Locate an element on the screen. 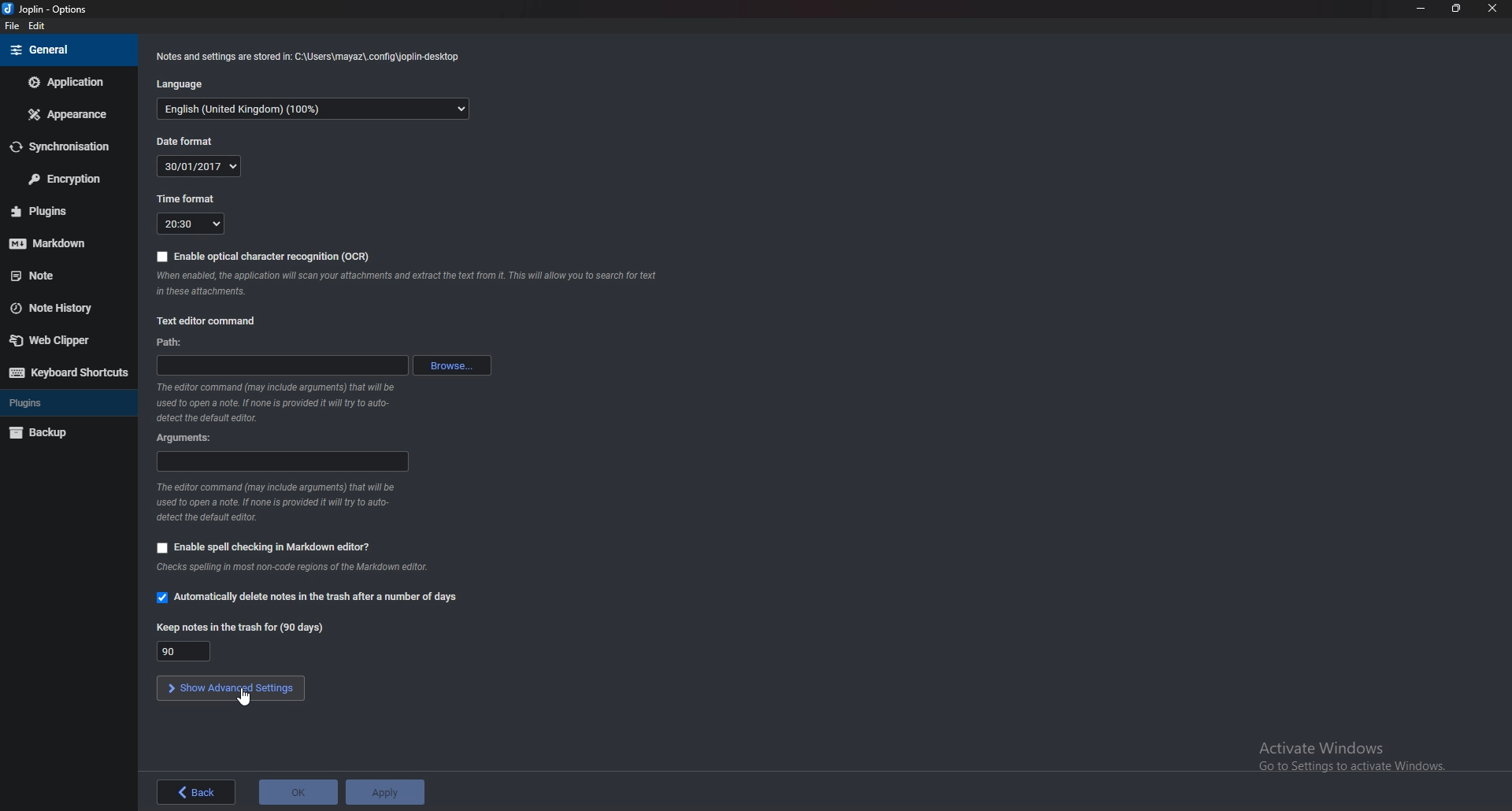 The image size is (1512, 811). Info on notes and settings is located at coordinates (309, 57).